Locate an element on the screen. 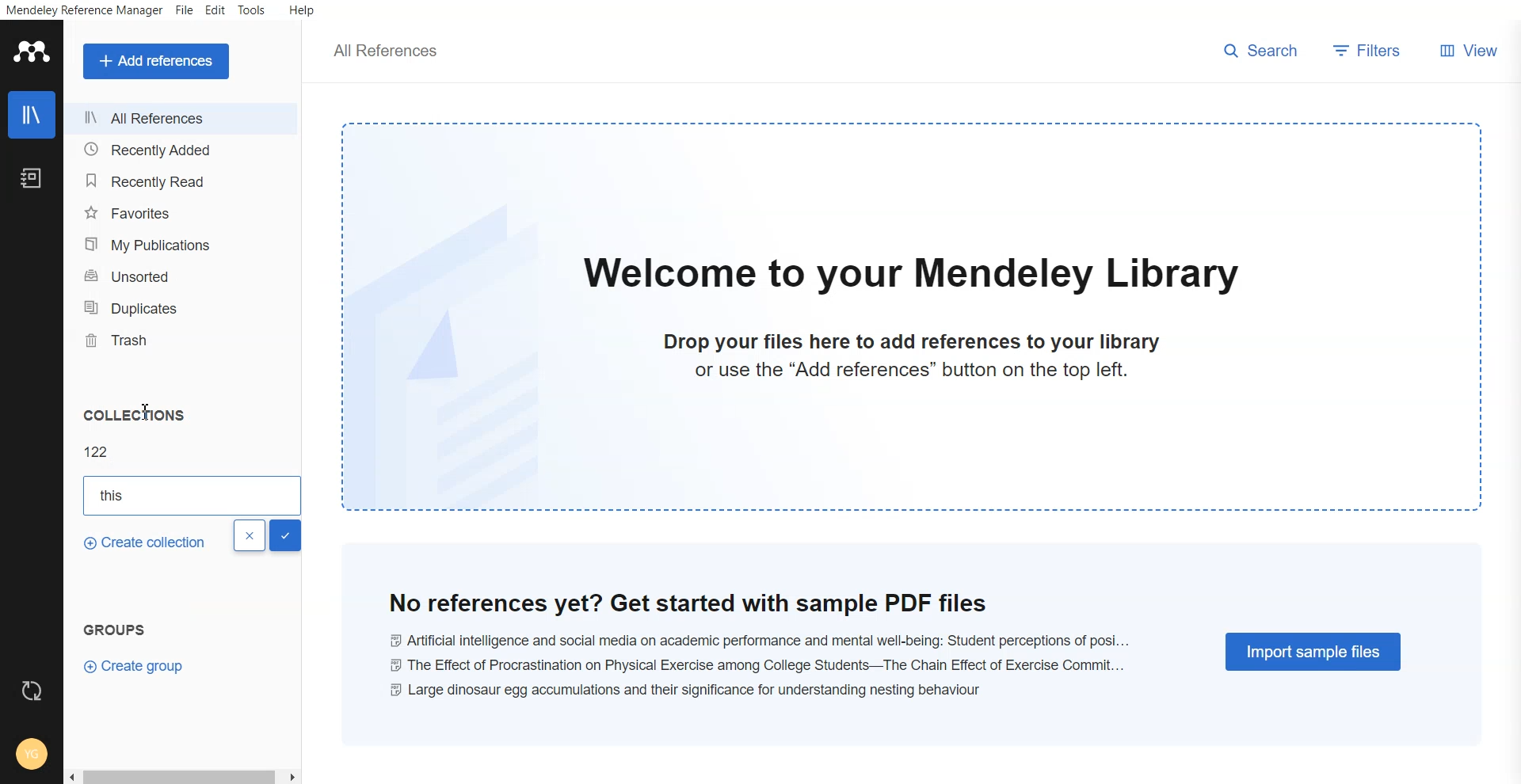 The width and height of the screenshot is (1521, 784). Logo is located at coordinates (32, 51).